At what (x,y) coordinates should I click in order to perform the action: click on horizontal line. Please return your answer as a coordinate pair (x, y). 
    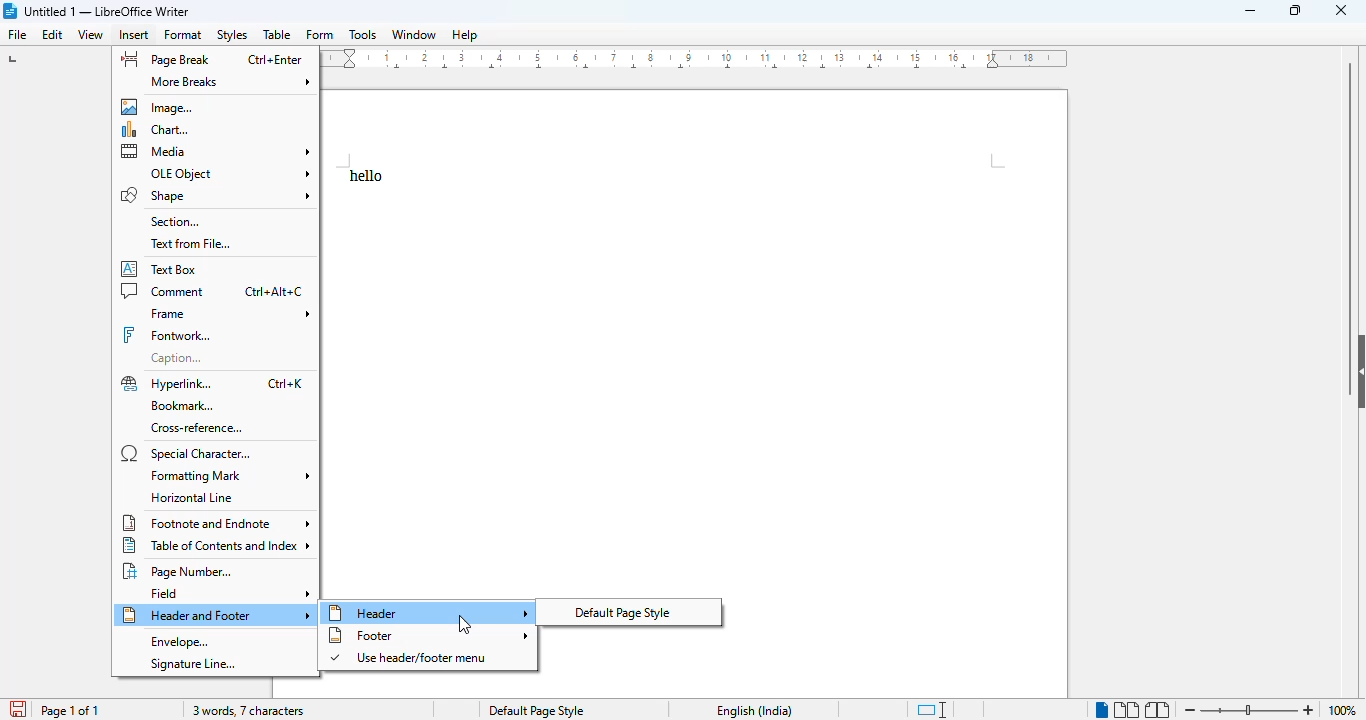
    Looking at the image, I should click on (194, 497).